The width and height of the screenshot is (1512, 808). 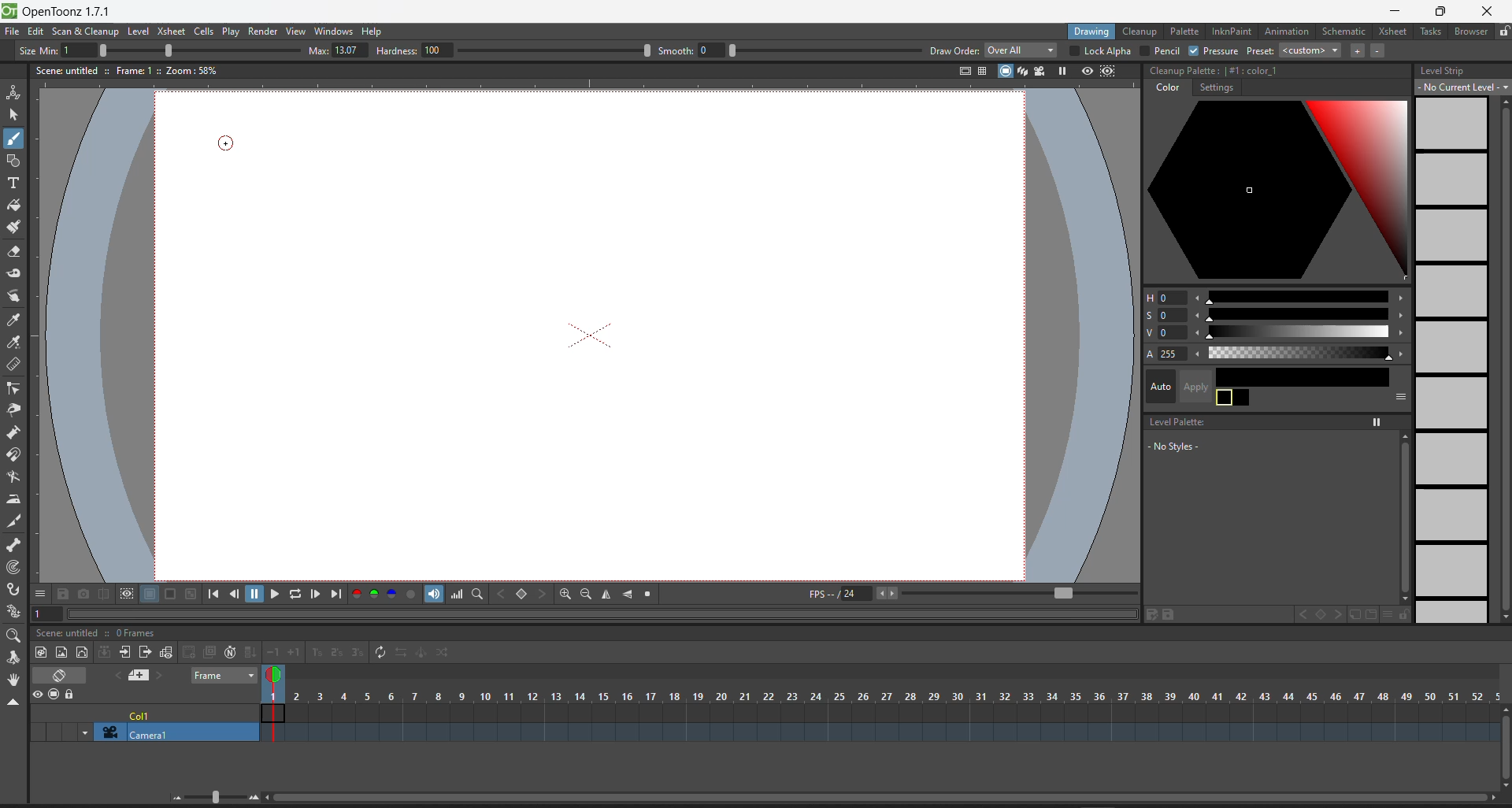 What do you see at coordinates (1162, 317) in the screenshot?
I see `saturation` at bounding box center [1162, 317].